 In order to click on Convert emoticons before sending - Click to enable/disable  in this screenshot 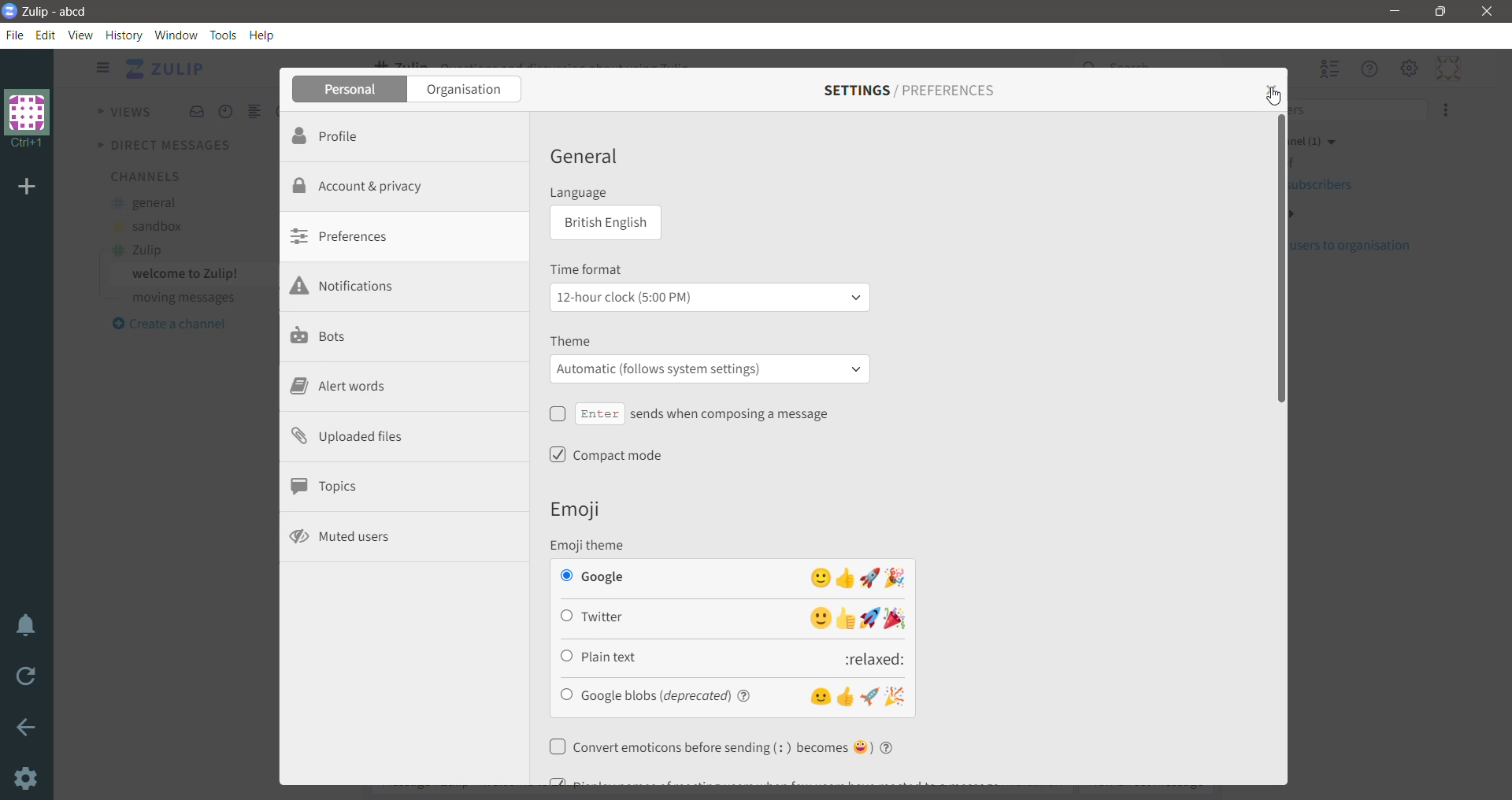, I will do `click(769, 746)`.